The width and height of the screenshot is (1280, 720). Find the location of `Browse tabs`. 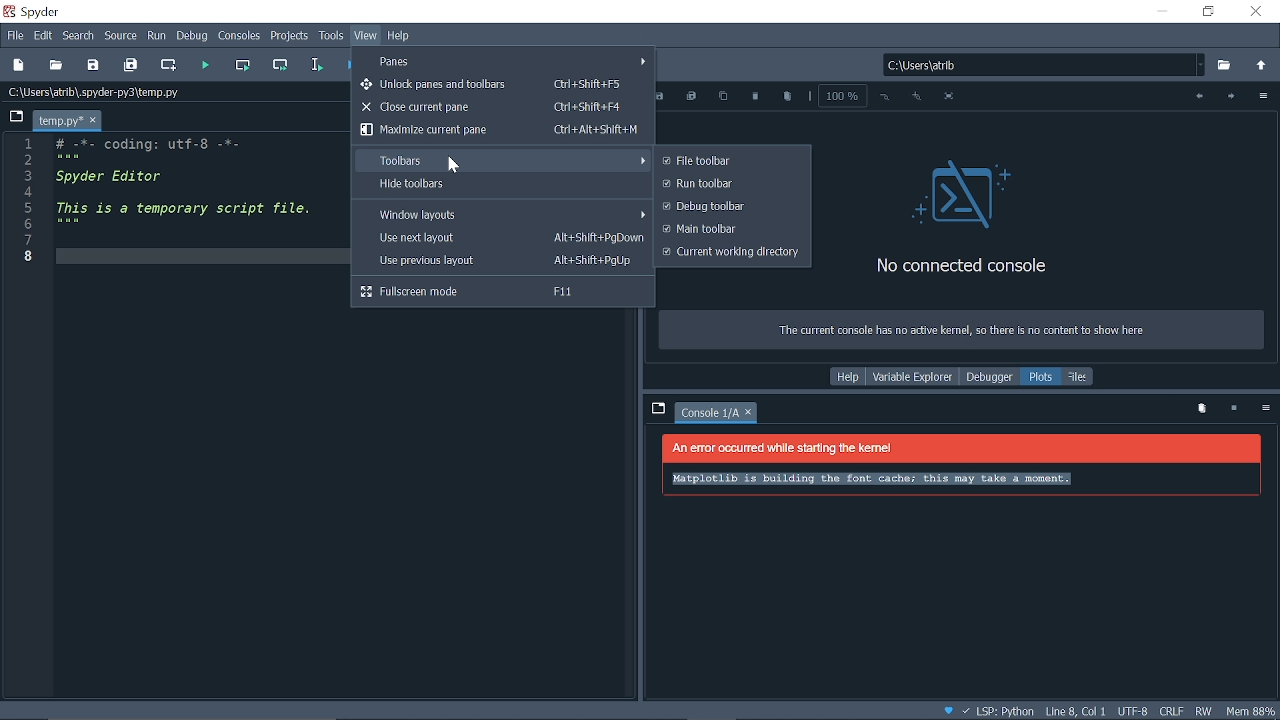

Browse tabs is located at coordinates (657, 408).